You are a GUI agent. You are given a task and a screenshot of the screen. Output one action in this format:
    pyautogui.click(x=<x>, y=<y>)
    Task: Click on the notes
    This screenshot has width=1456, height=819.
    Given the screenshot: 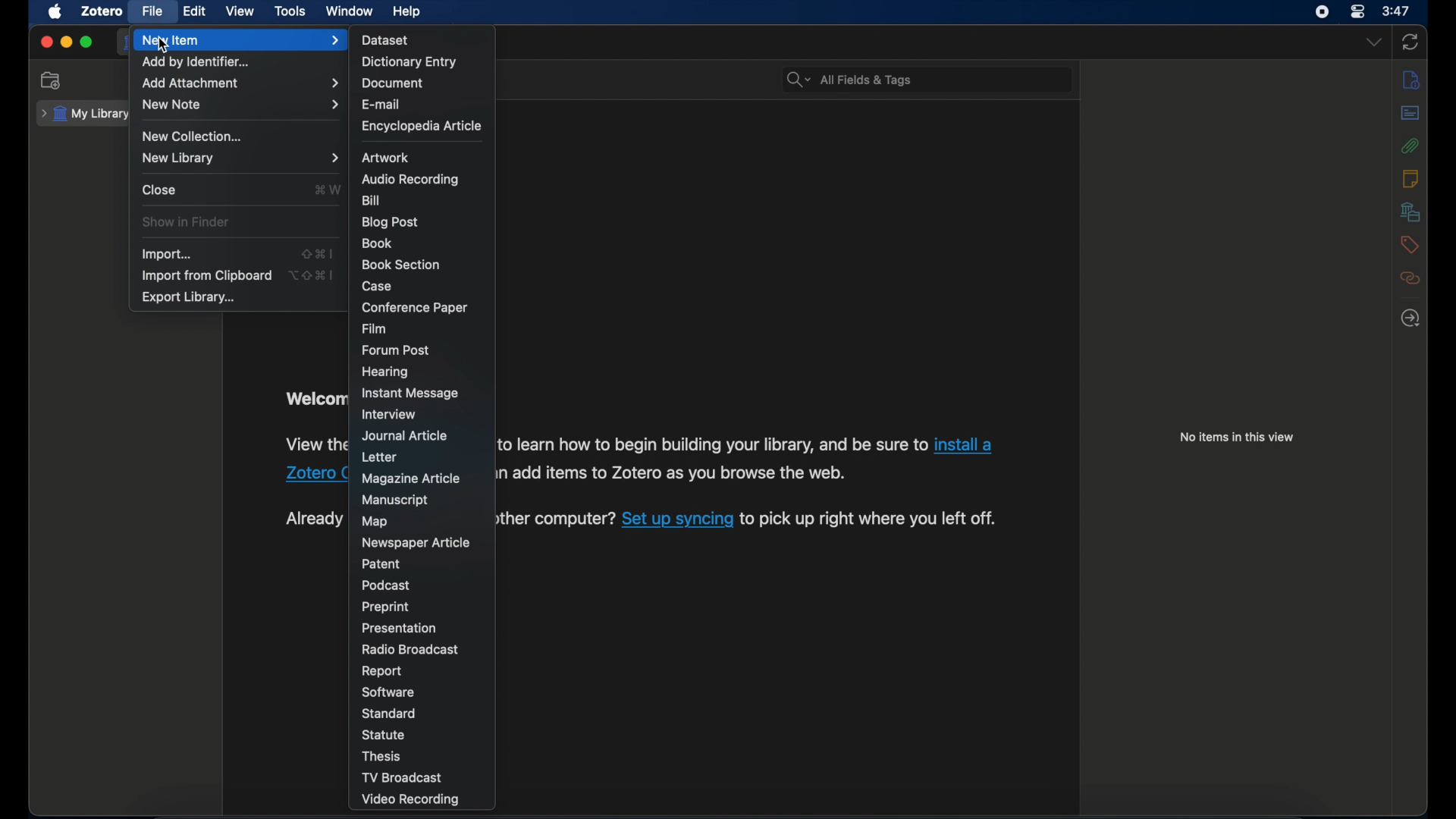 What is the action you would take?
    pyautogui.click(x=1410, y=178)
    